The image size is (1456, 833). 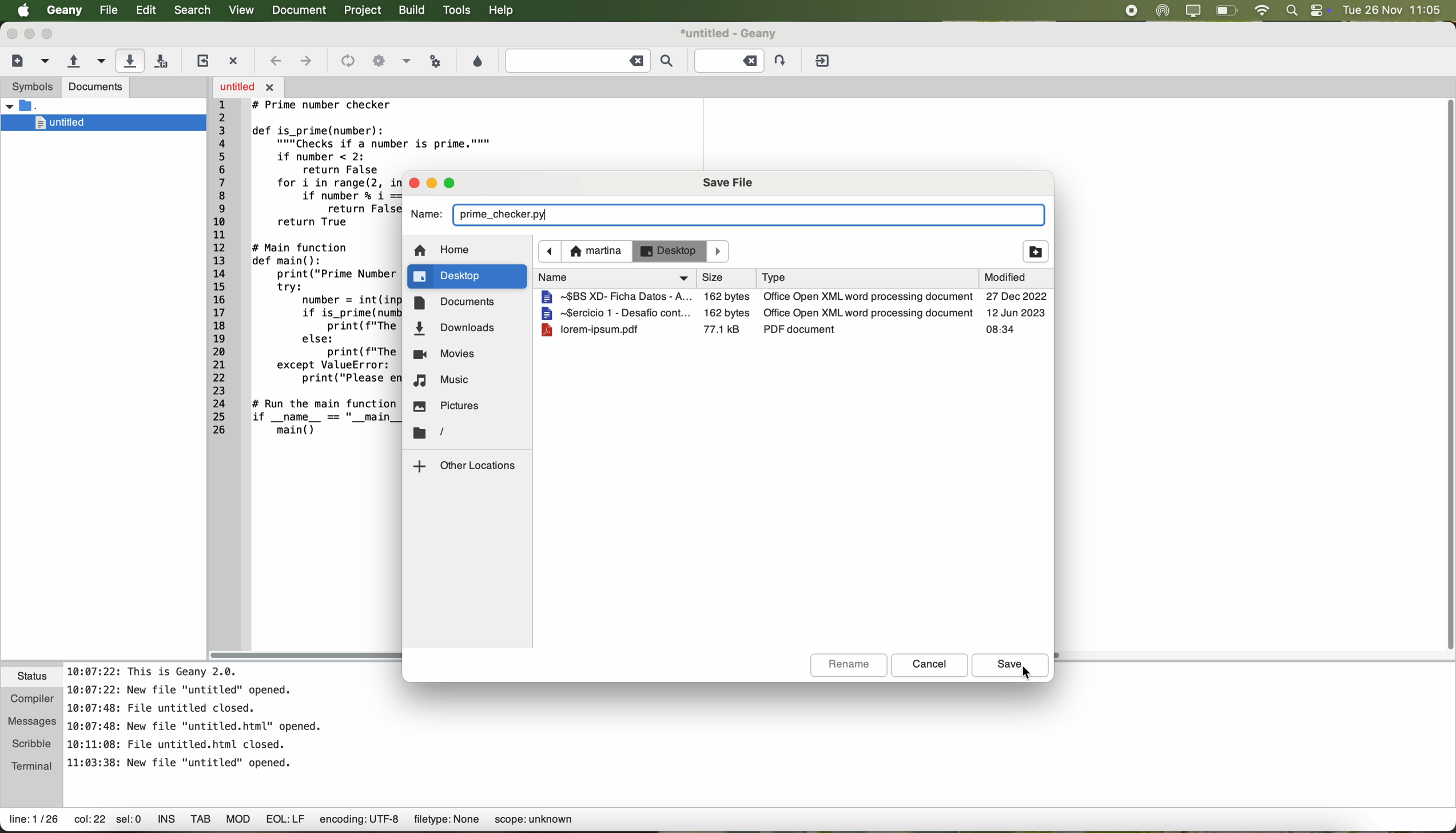 I want to click on navigate back, so click(x=276, y=61).